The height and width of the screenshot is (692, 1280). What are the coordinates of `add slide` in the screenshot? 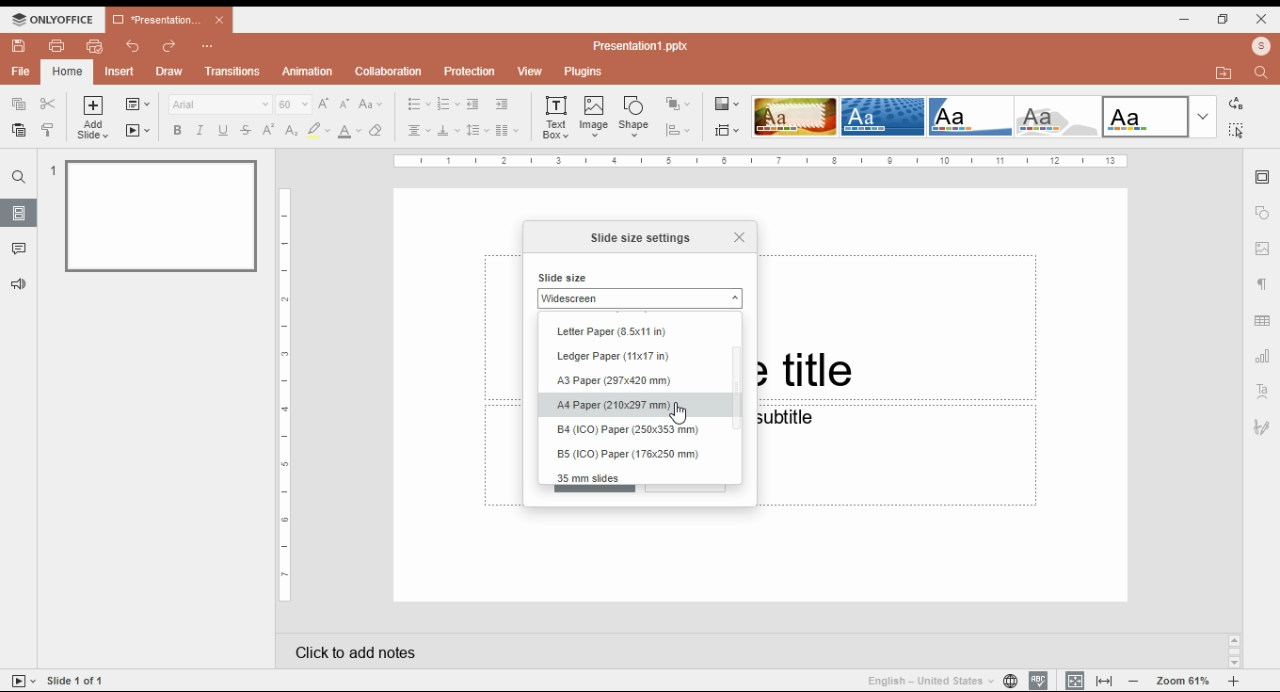 It's located at (95, 118).